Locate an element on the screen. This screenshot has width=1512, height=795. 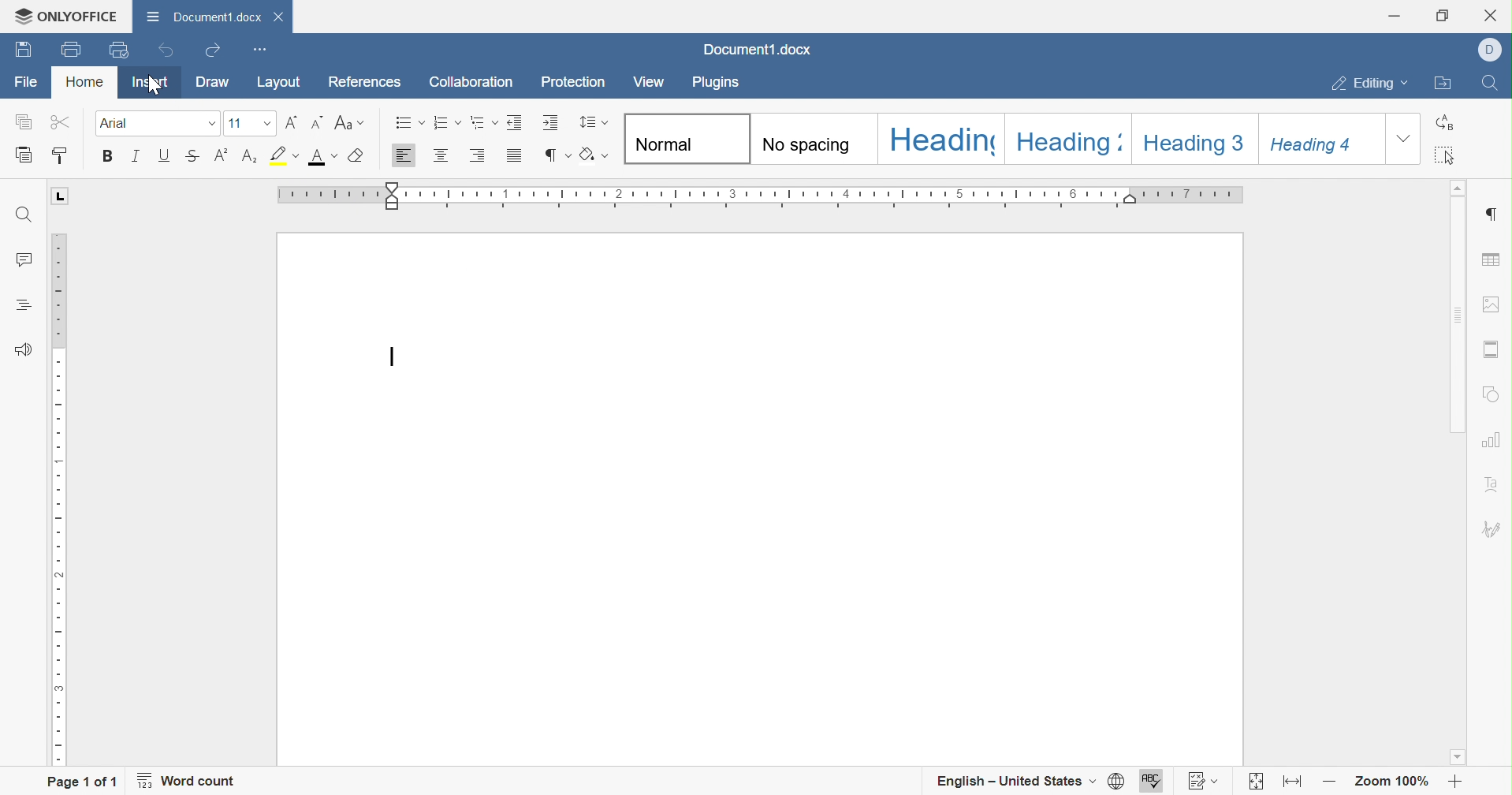
Shading is located at coordinates (596, 155).